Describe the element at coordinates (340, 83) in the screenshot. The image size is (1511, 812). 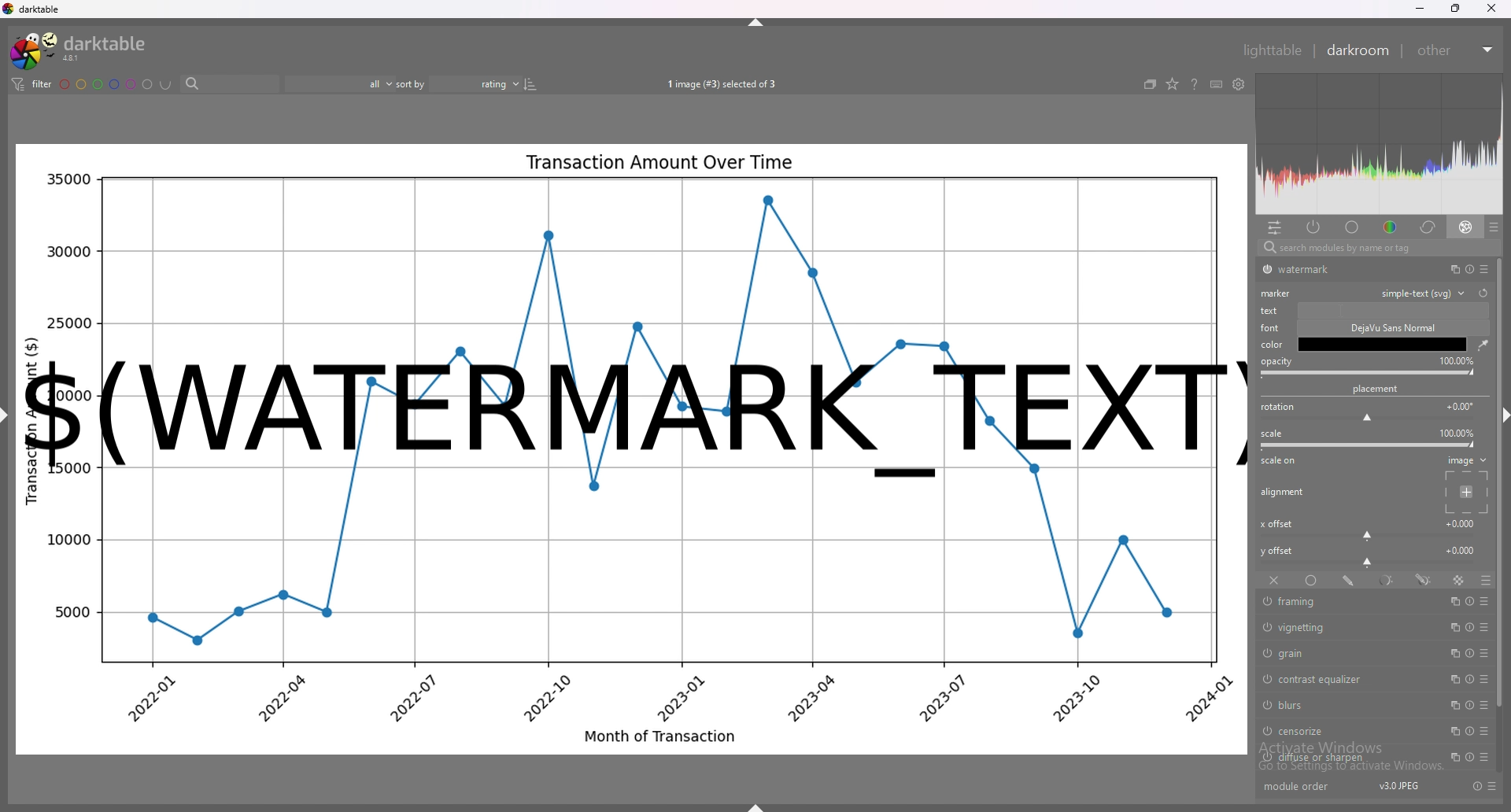
I see `filter by rating` at that location.